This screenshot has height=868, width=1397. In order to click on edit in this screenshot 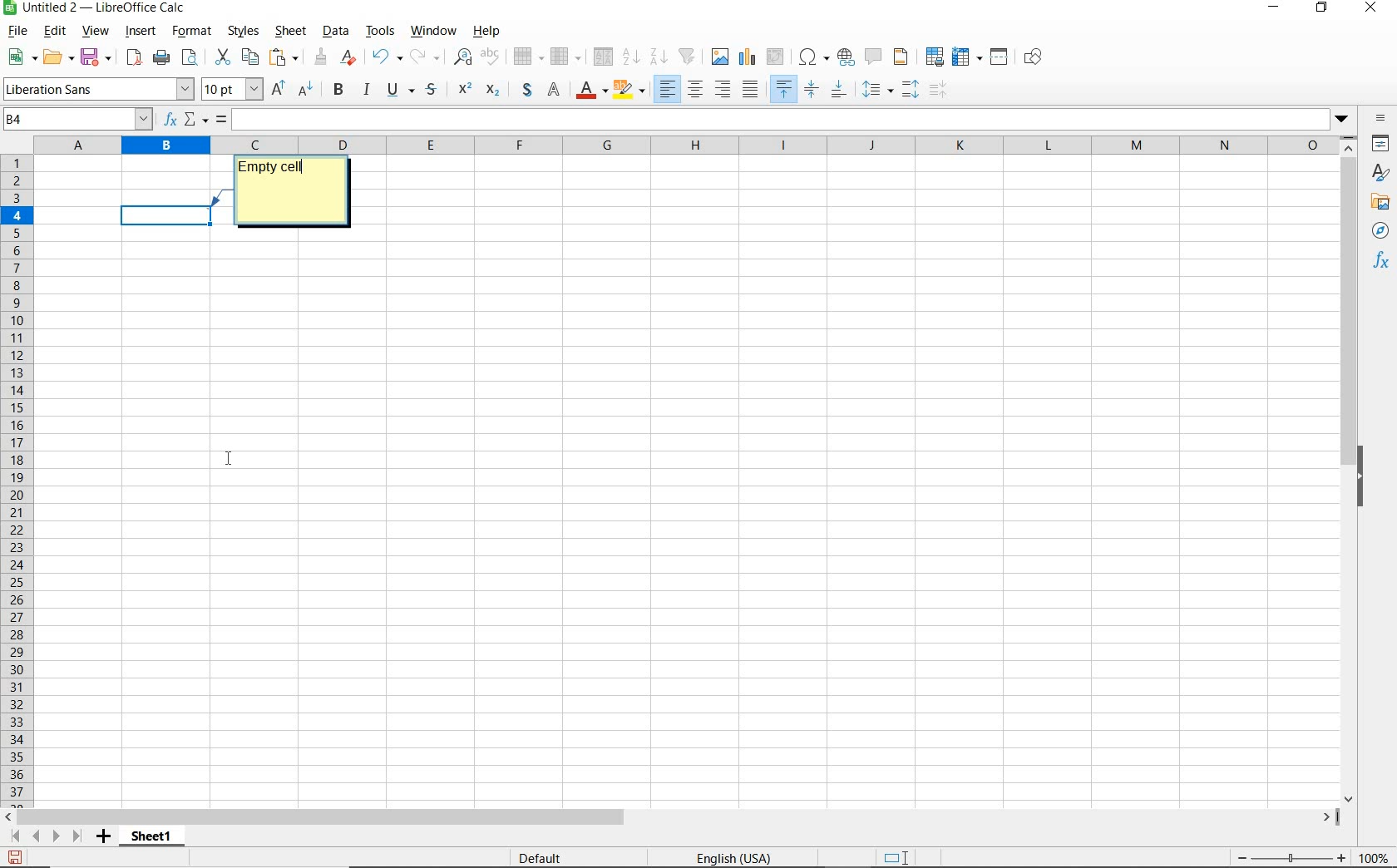, I will do `click(55, 31)`.